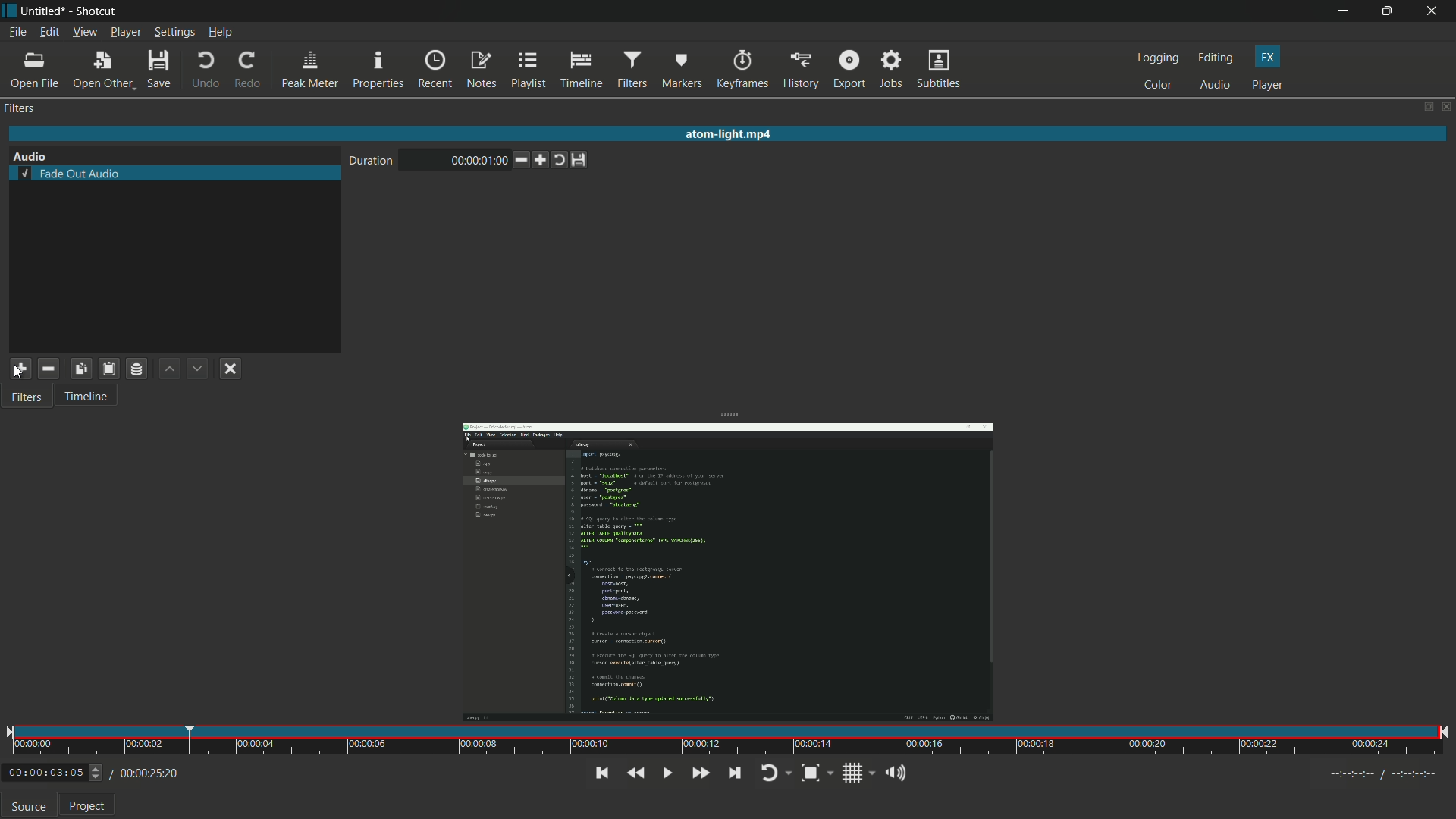  Describe the element at coordinates (378, 70) in the screenshot. I see `properties` at that location.